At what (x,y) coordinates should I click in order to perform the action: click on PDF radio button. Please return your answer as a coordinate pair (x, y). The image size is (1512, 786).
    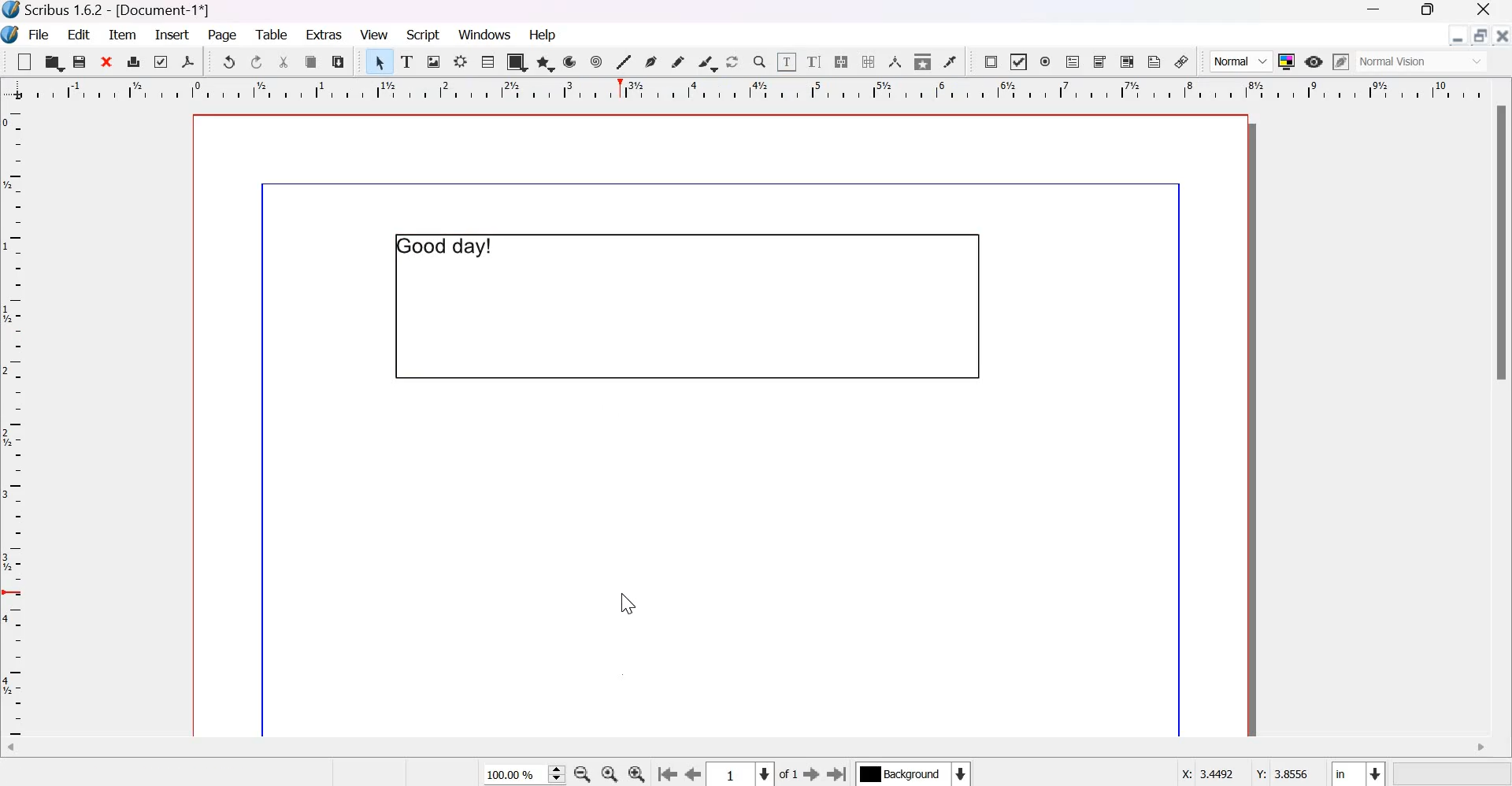
    Looking at the image, I should click on (1046, 62).